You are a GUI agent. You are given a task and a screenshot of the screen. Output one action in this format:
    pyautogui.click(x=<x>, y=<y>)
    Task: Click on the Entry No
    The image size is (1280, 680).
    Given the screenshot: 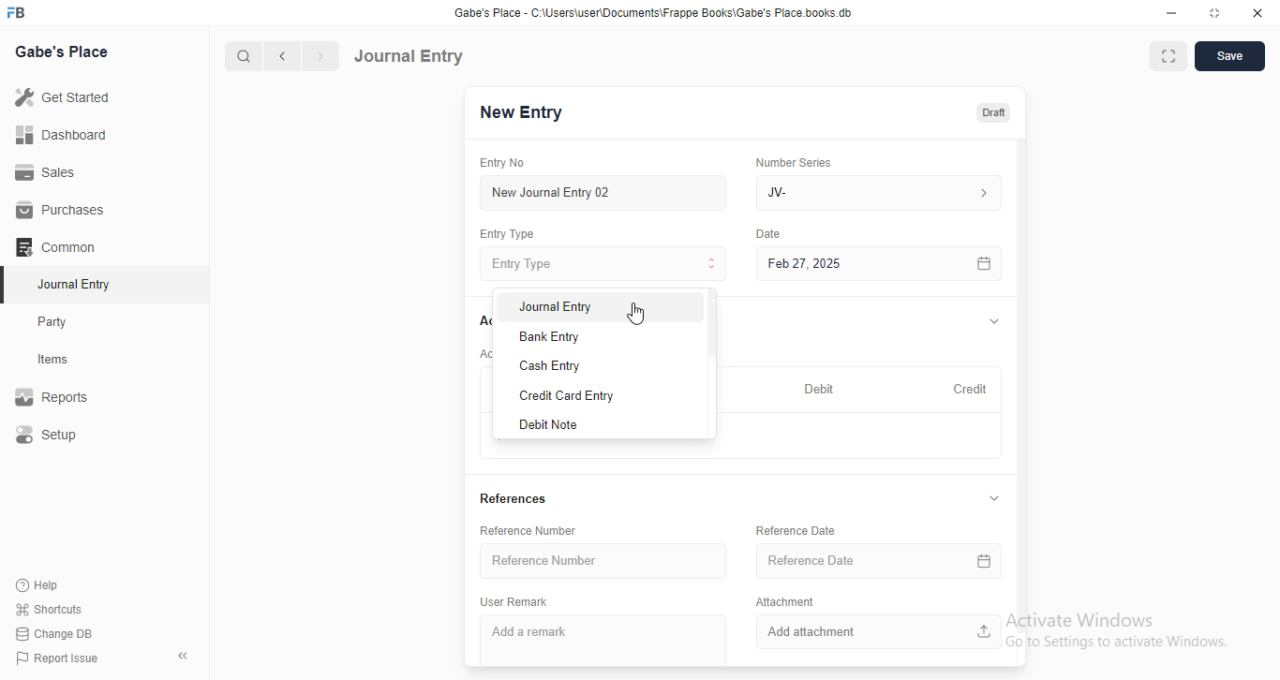 What is the action you would take?
    pyautogui.click(x=507, y=162)
    